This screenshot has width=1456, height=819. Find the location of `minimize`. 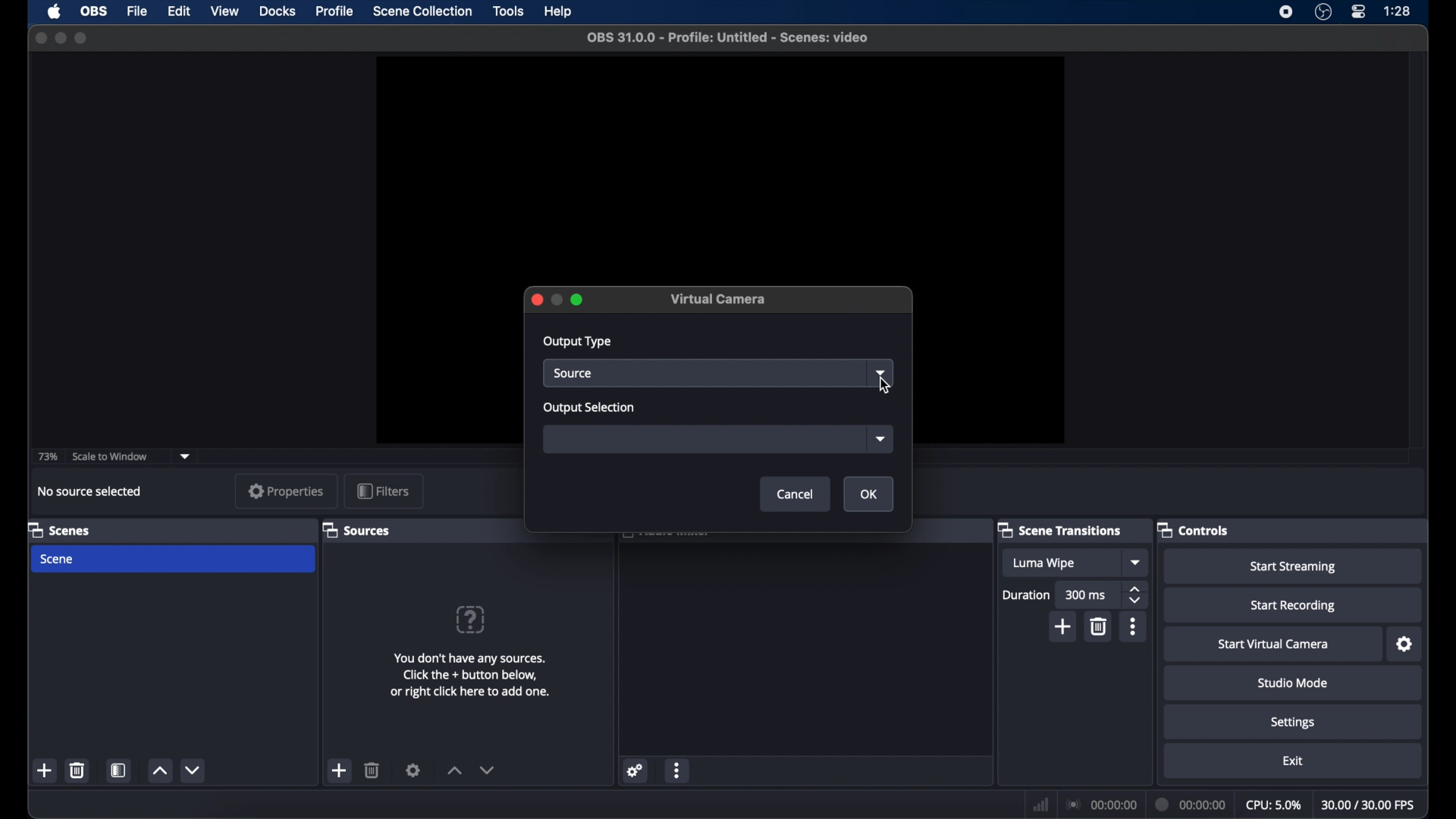

minimize is located at coordinates (60, 38).